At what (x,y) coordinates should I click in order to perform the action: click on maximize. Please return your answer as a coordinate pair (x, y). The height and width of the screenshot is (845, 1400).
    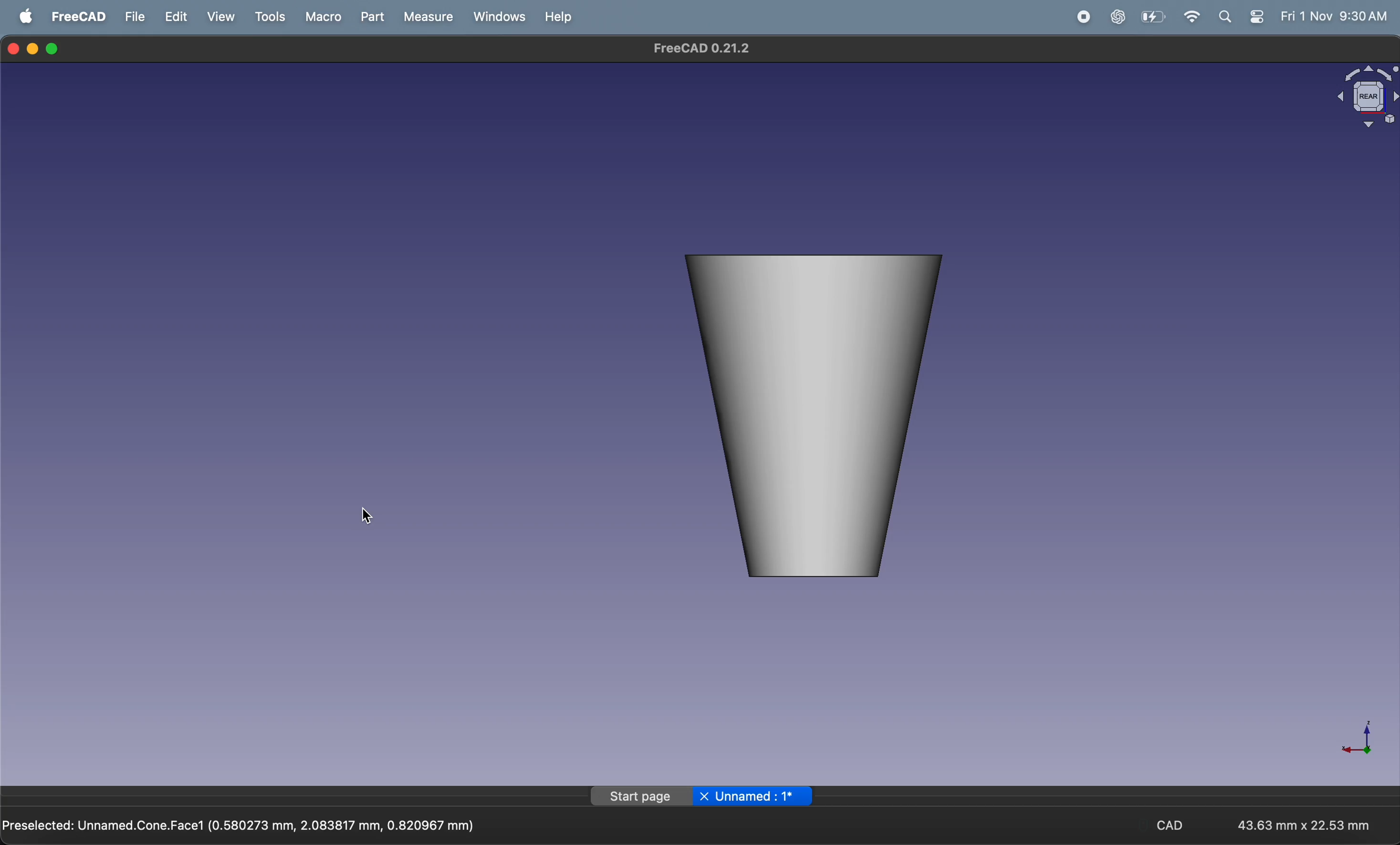
    Looking at the image, I should click on (55, 49).